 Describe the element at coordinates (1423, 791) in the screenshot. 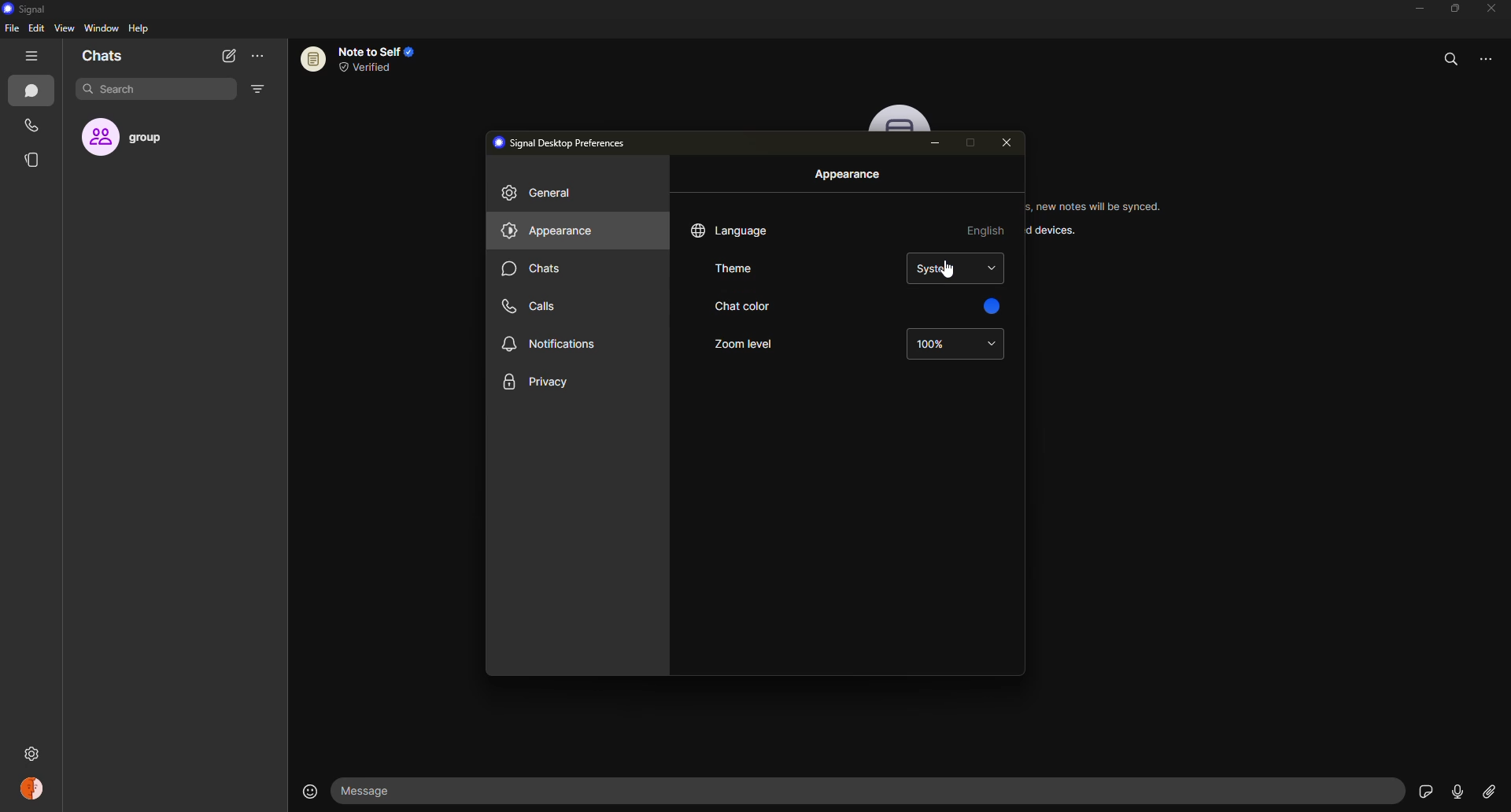

I see `stickers` at that location.